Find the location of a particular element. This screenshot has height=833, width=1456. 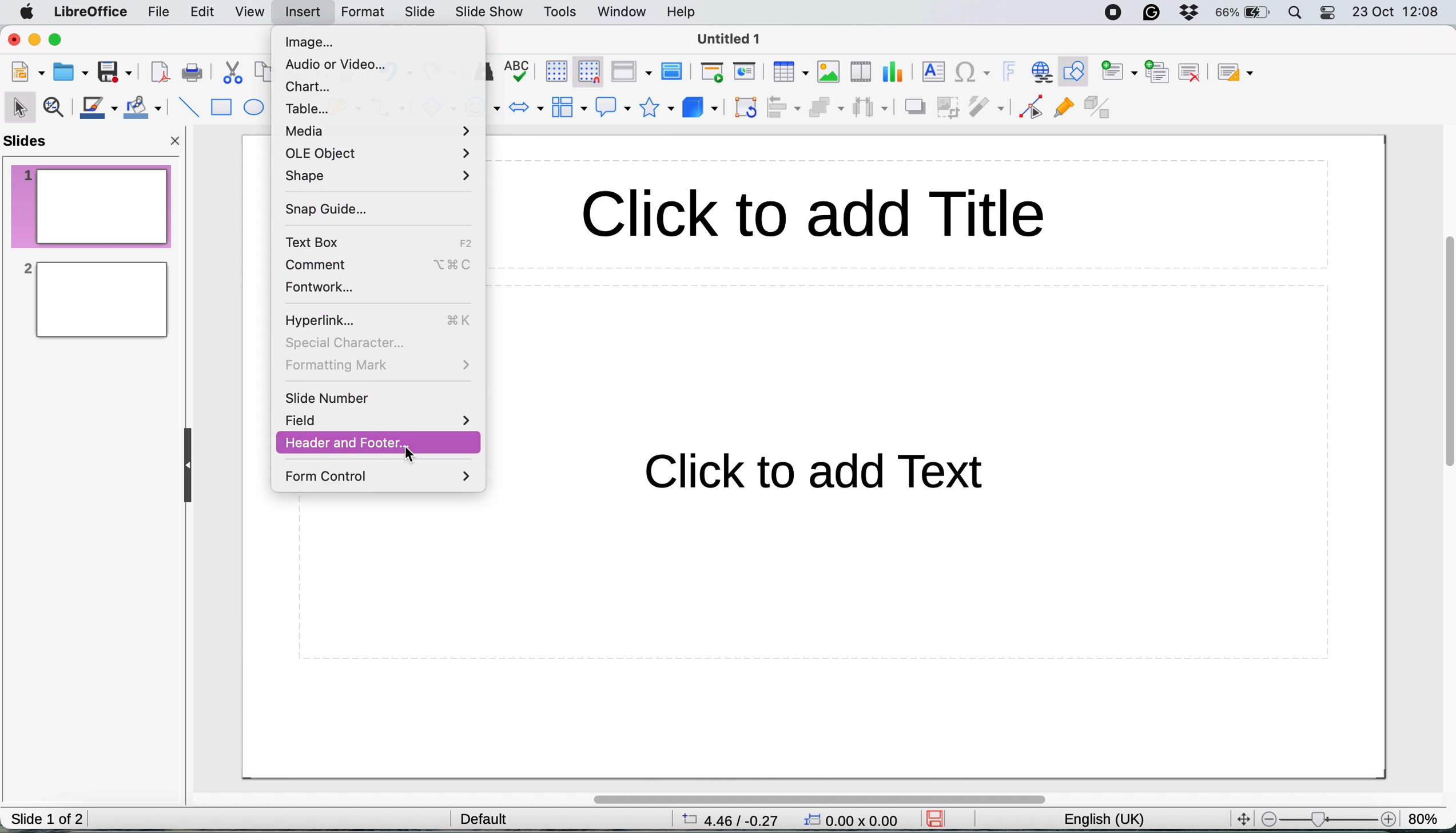

window is located at coordinates (623, 13).